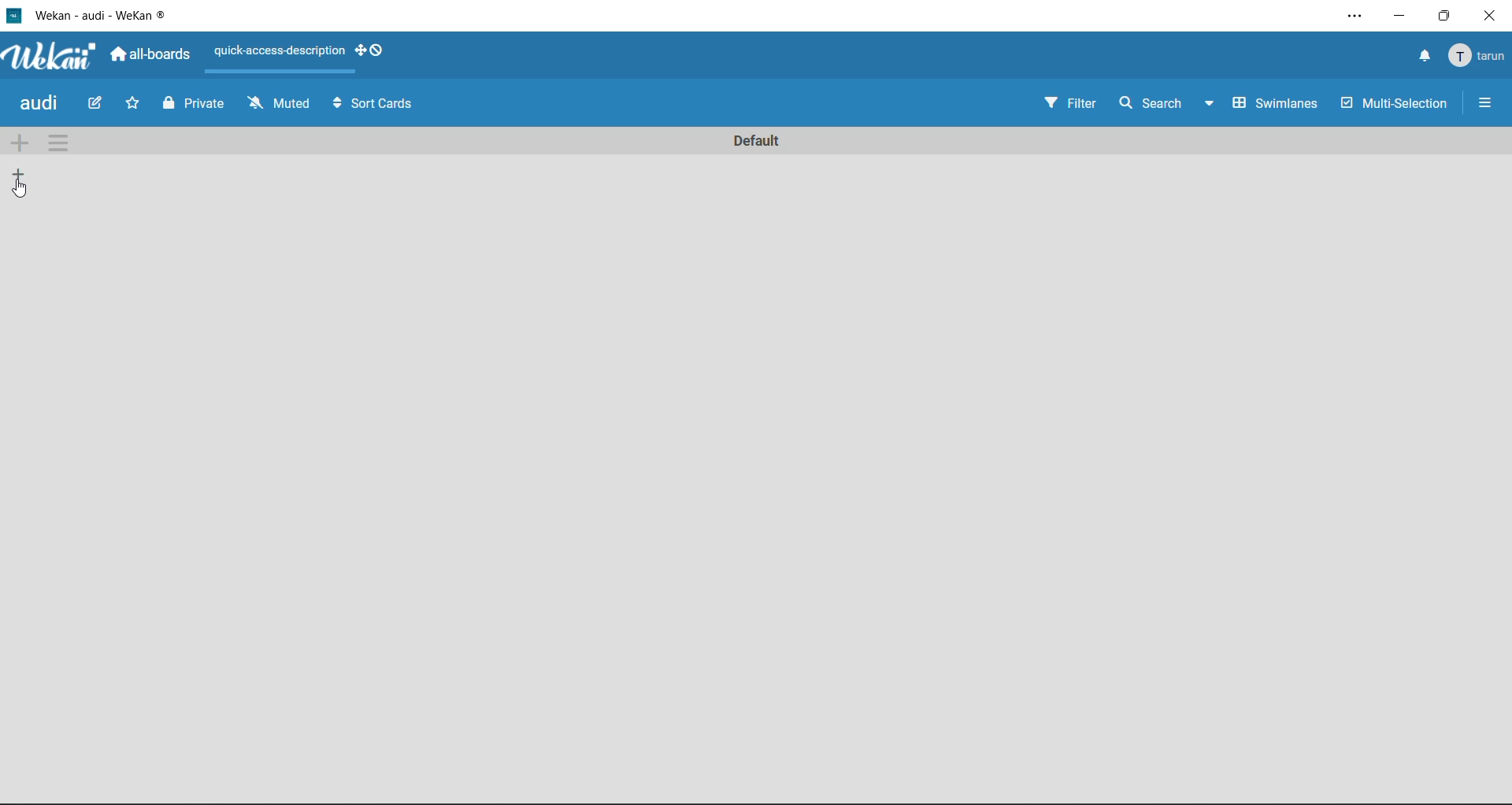 Image resolution: width=1512 pixels, height=805 pixels. What do you see at coordinates (23, 191) in the screenshot?
I see `cursor` at bounding box center [23, 191].